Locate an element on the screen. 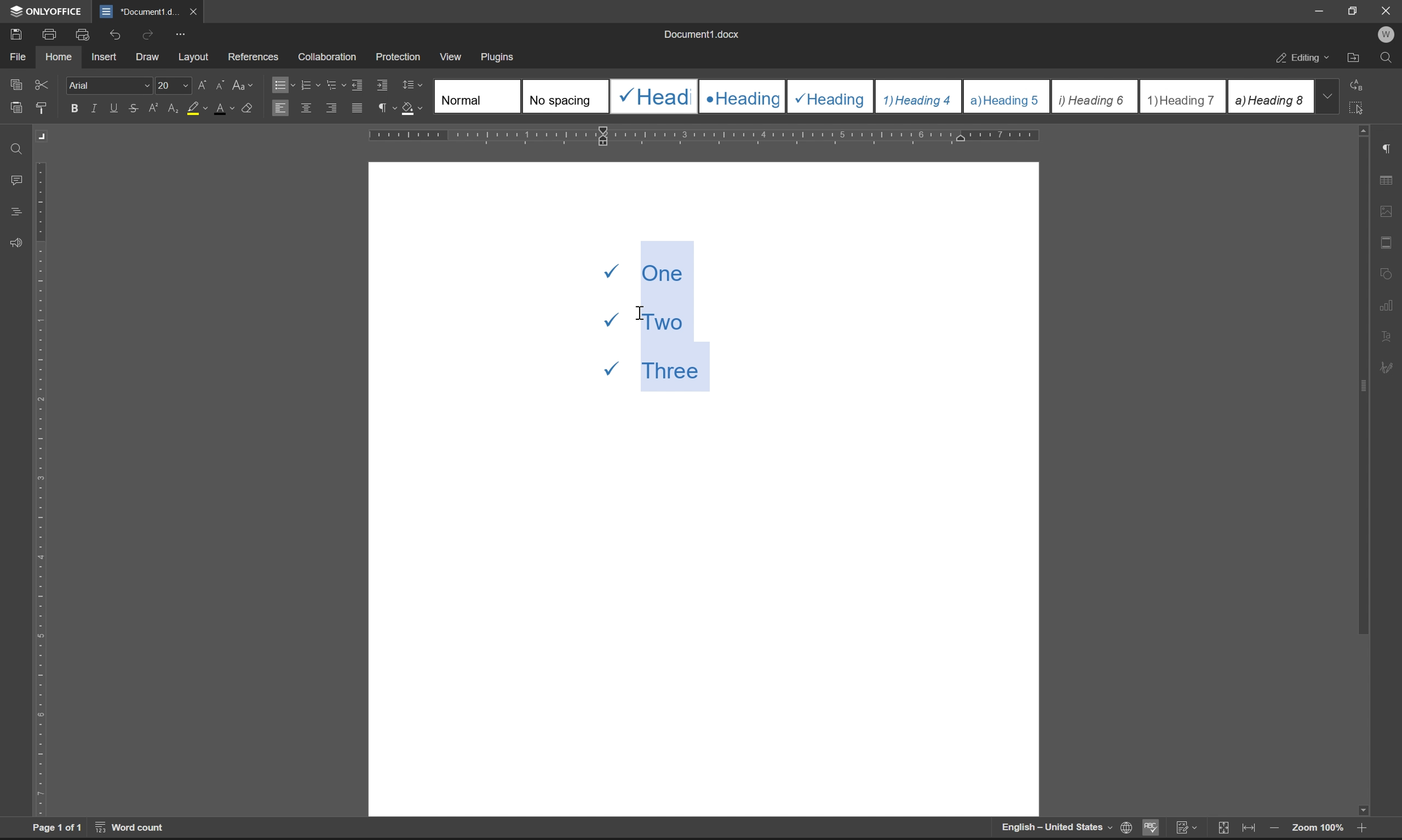 This screenshot has width=1402, height=840. word count is located at coordinates (131, 827).